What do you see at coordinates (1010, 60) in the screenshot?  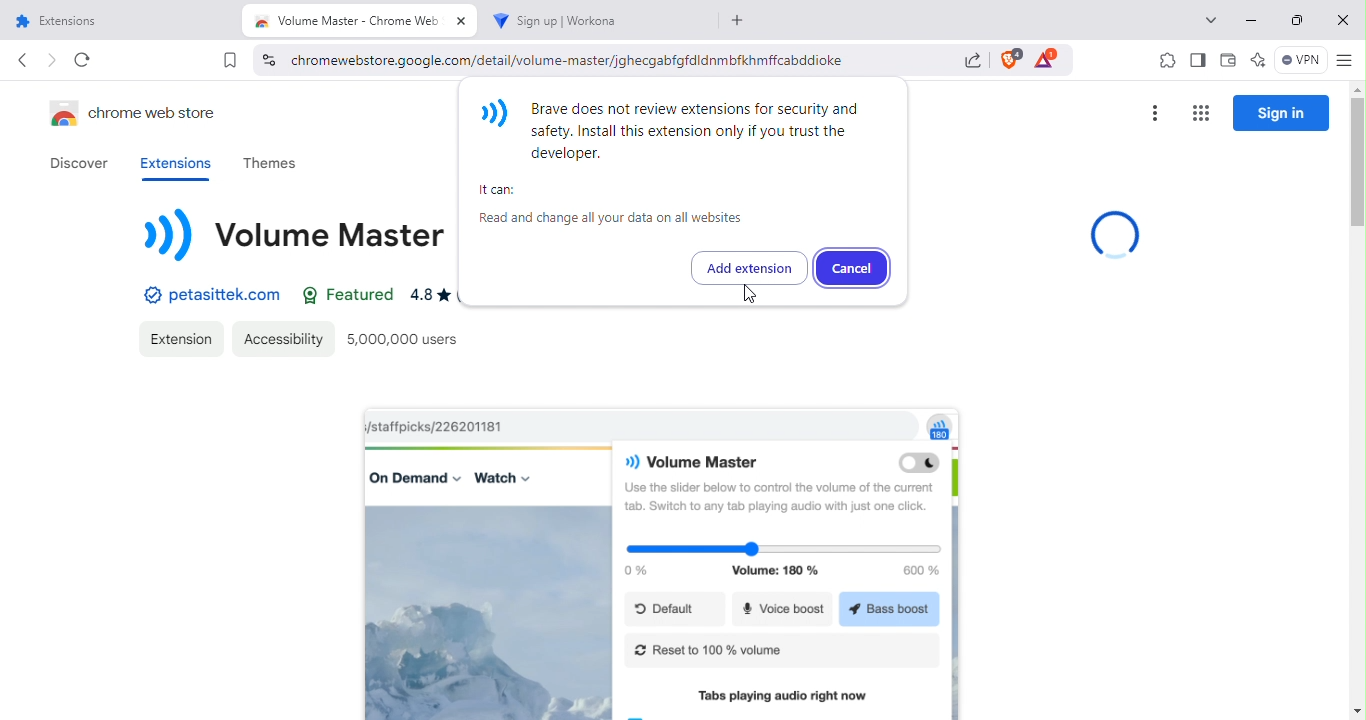 I see `brave shields ` at bounding box center [1010, 60].